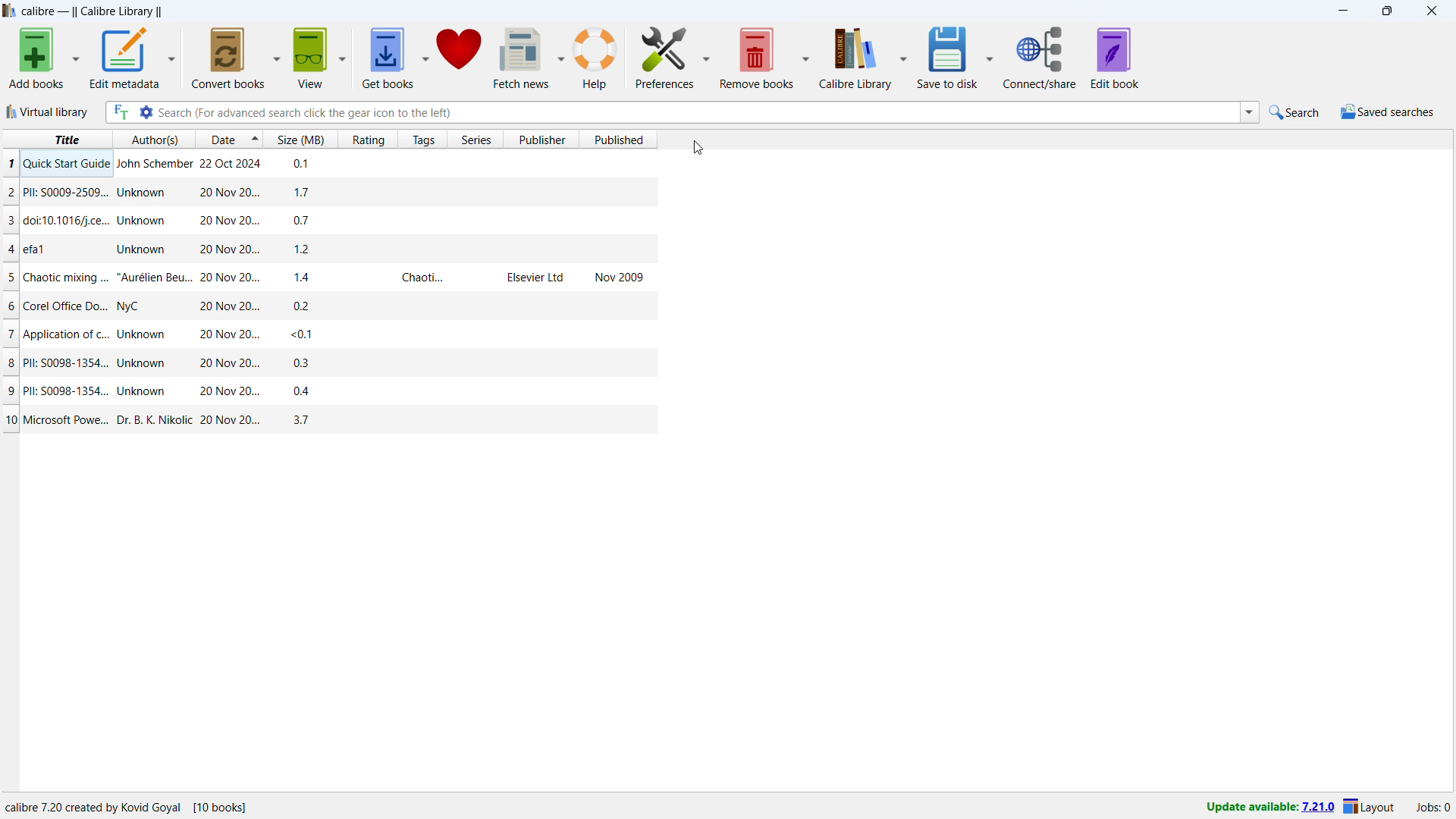  I want to click on save to disk options, so click(991, 56).